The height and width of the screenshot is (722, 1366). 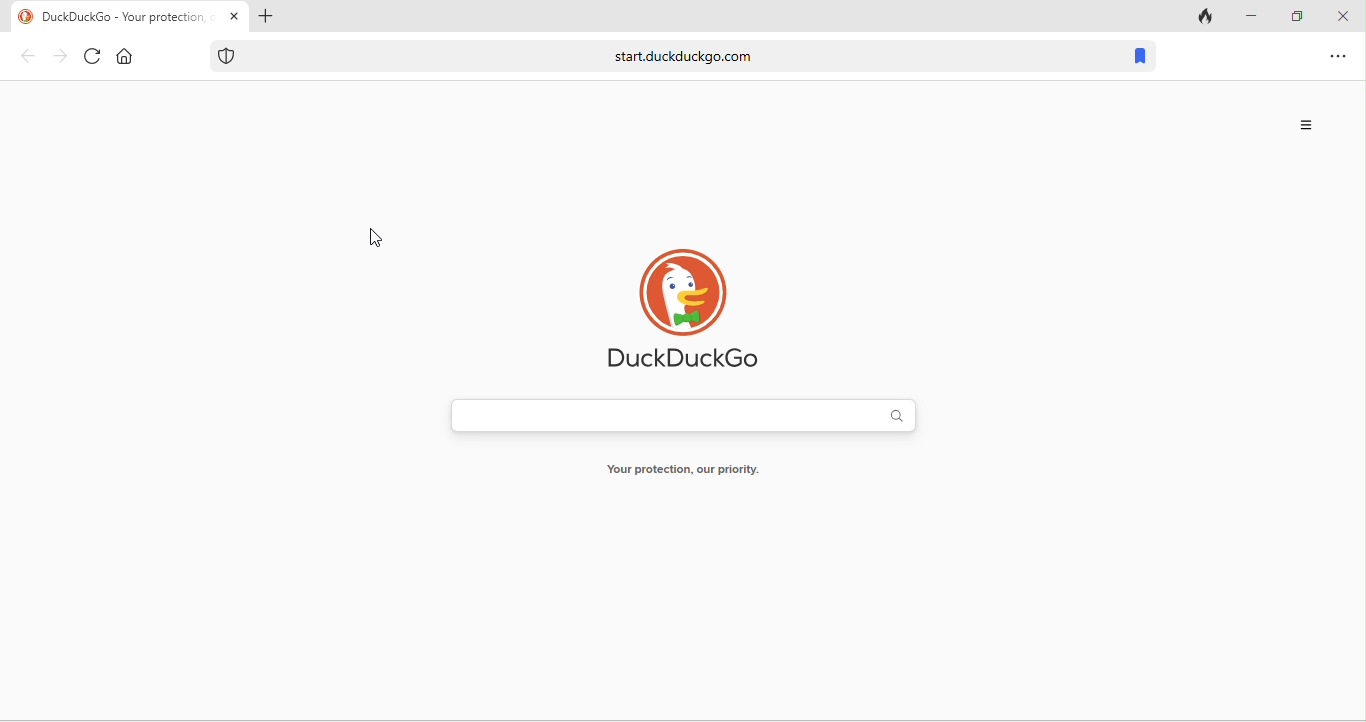 What do you see at coordinates (20, 59) in the screenshot?
I see `back` at bounding box center [20, 59].